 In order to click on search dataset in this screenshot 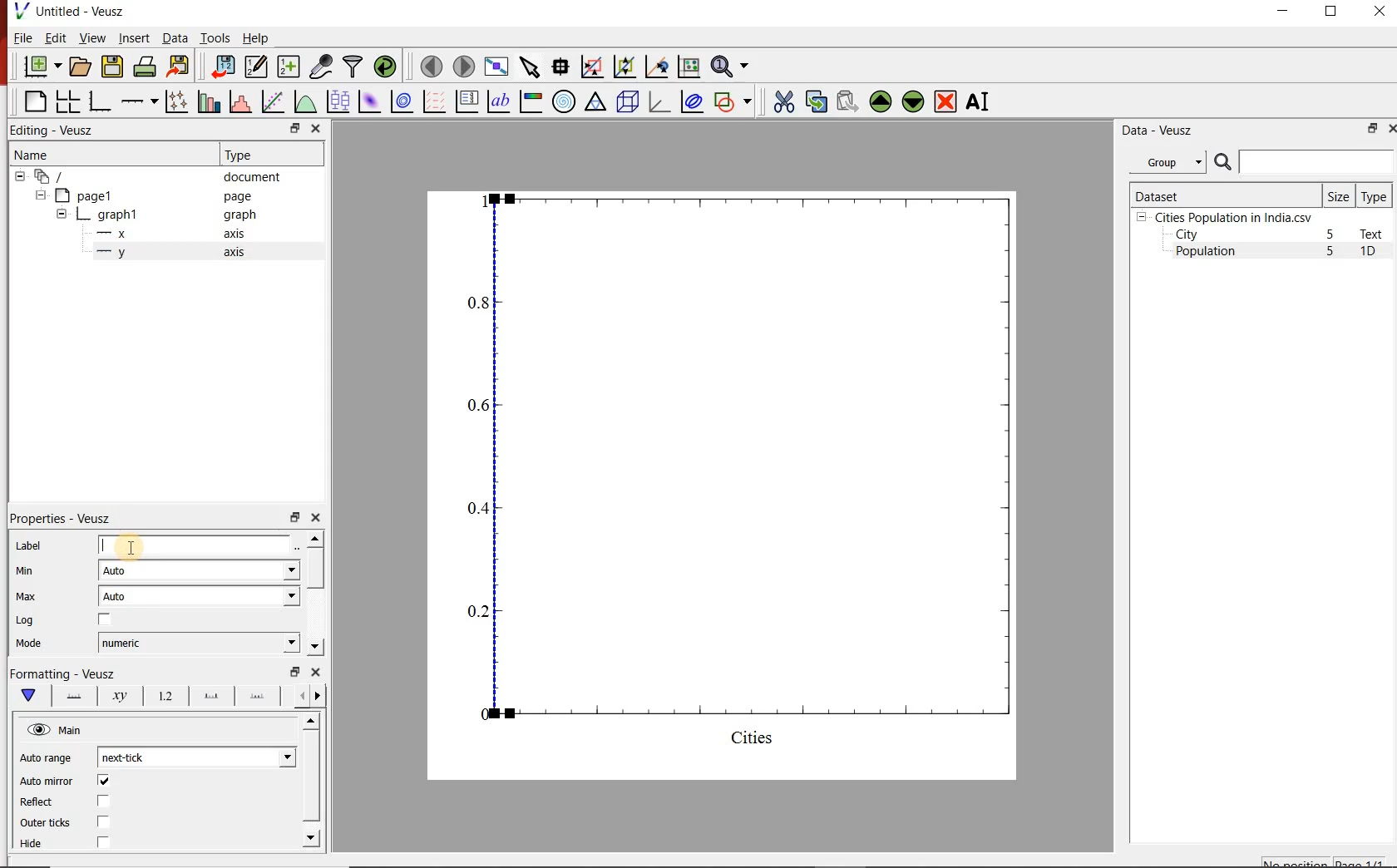, I will do `click(1305, 162)`.